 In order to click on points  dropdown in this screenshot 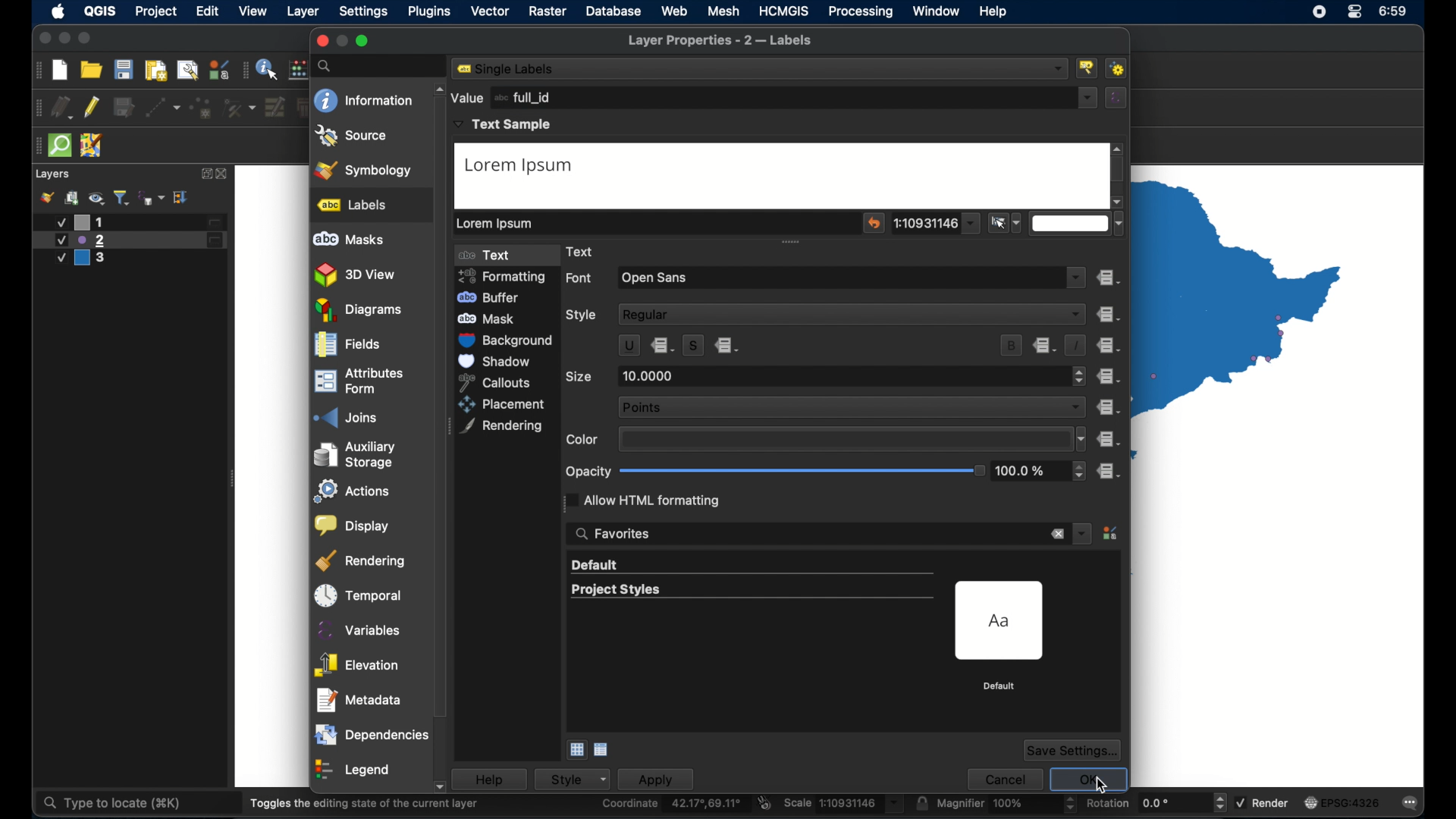, I will do `click(851, 406)`.